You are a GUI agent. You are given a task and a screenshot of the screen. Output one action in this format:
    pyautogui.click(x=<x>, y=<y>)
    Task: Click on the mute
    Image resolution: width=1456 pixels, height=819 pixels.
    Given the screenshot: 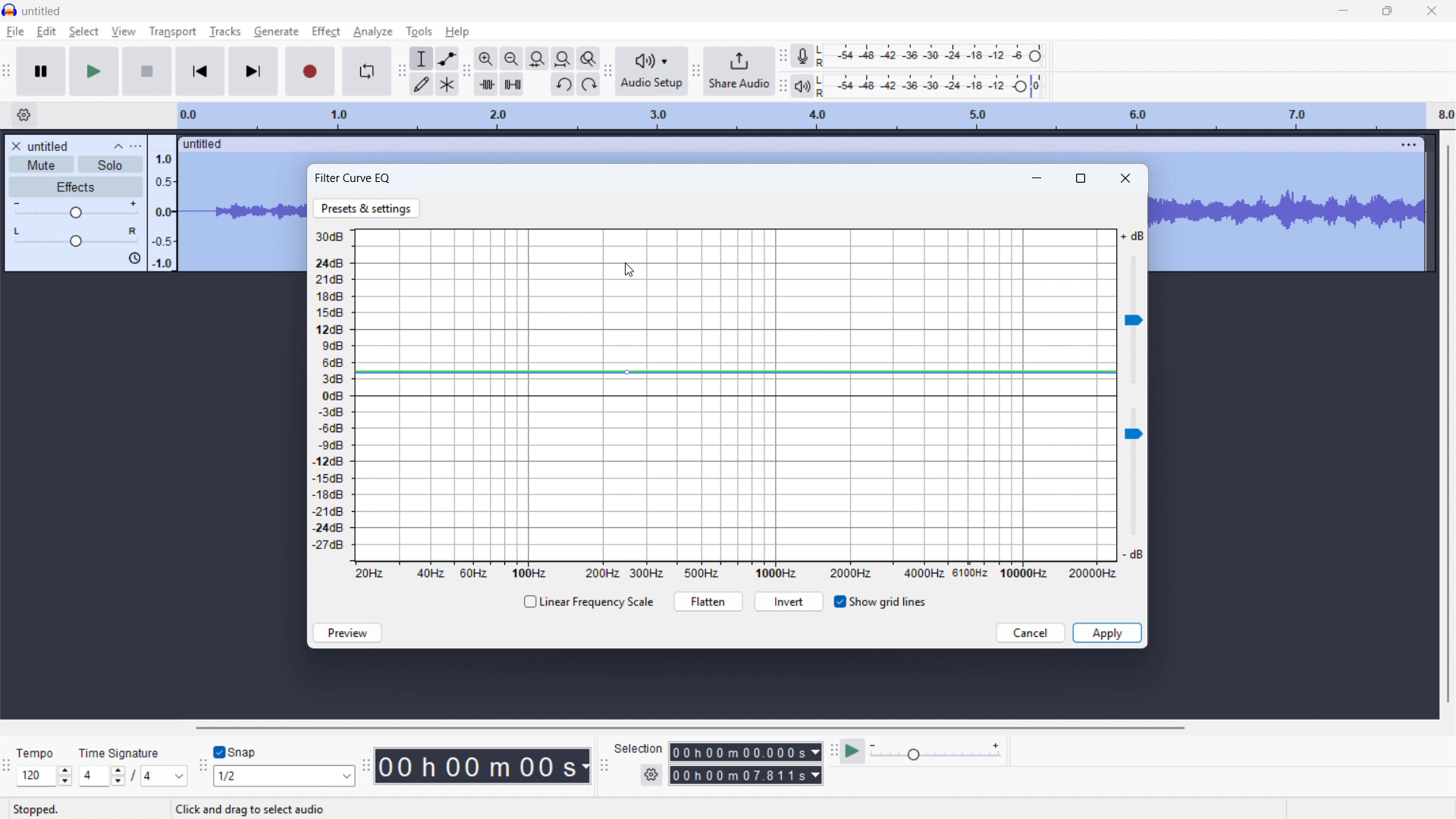 What is the action you would take?
    pyautogui.click(x=42, y=165)
    